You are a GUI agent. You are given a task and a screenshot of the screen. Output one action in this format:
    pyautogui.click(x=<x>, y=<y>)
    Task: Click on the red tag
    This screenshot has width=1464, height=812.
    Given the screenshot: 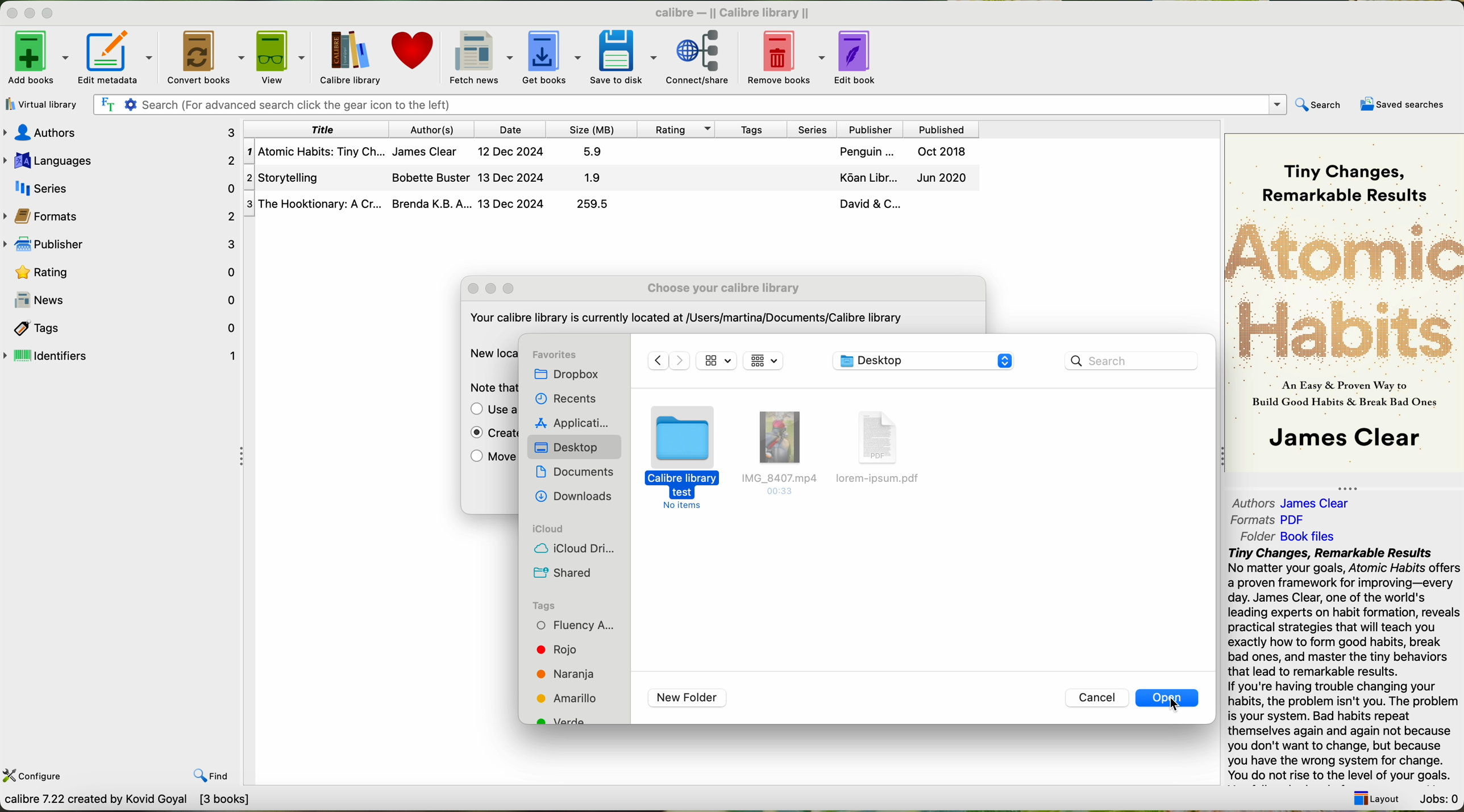 What is the action you would take?
    pyautogui.click(x=554, y=649)
    